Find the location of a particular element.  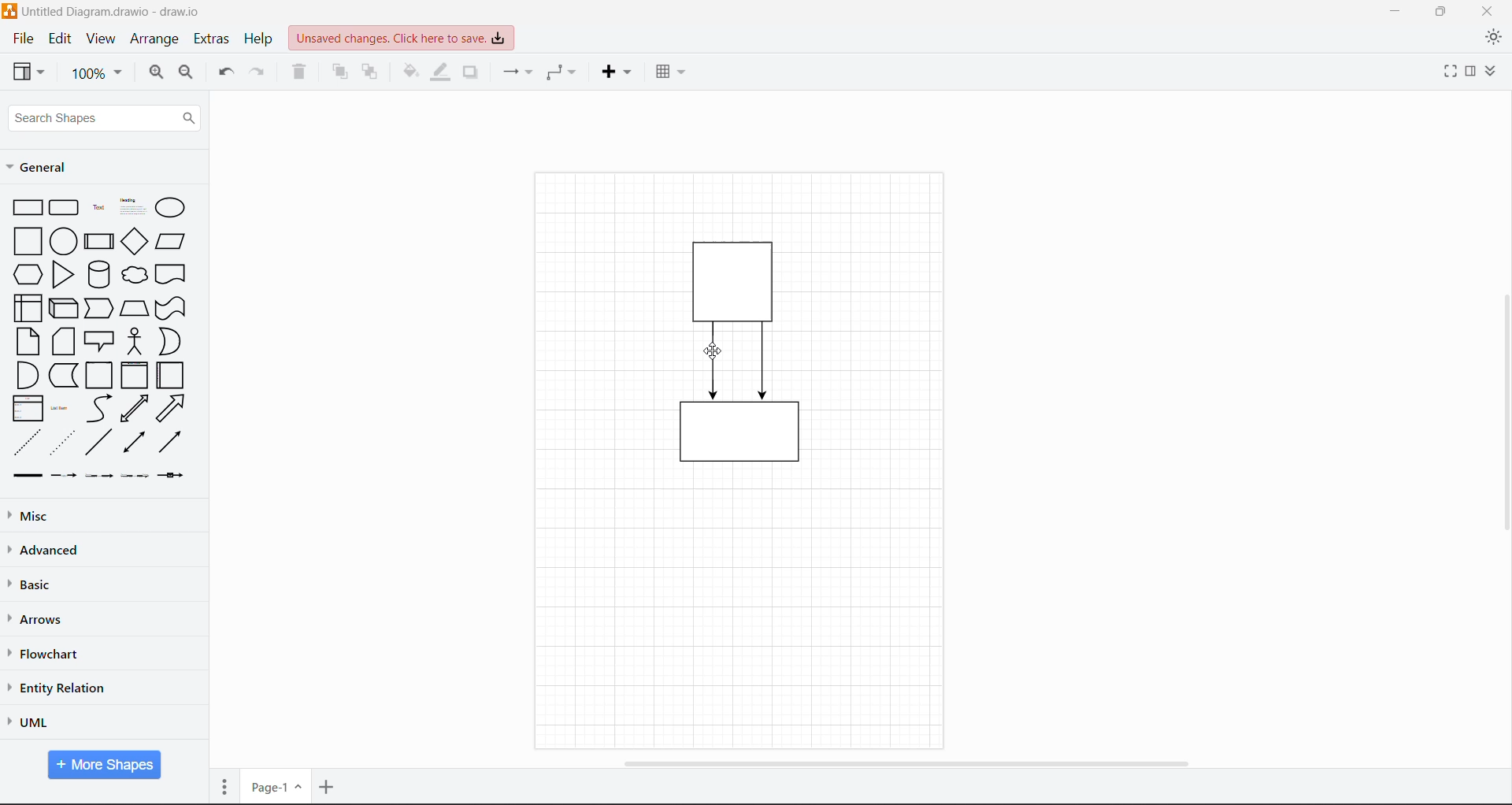

Callout is located at coordinates (99, 341).